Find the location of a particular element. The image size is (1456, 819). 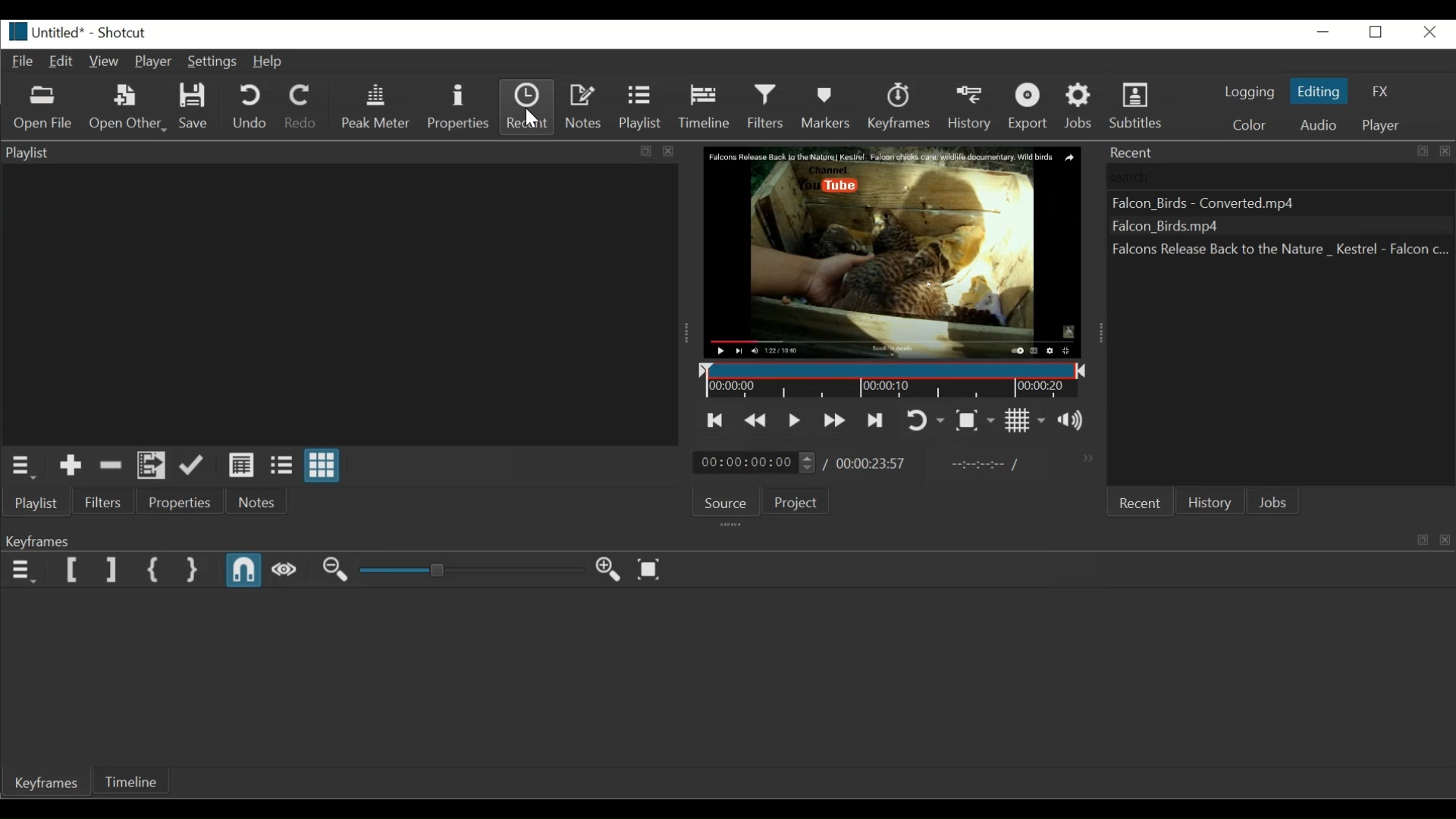

Falcon Release Back to the Nature | Kestrel. Falcon chicks care wildlife documentary. Wild Birds. Channel. You tube(Media Viewer) is located at coordinates (891, 253).